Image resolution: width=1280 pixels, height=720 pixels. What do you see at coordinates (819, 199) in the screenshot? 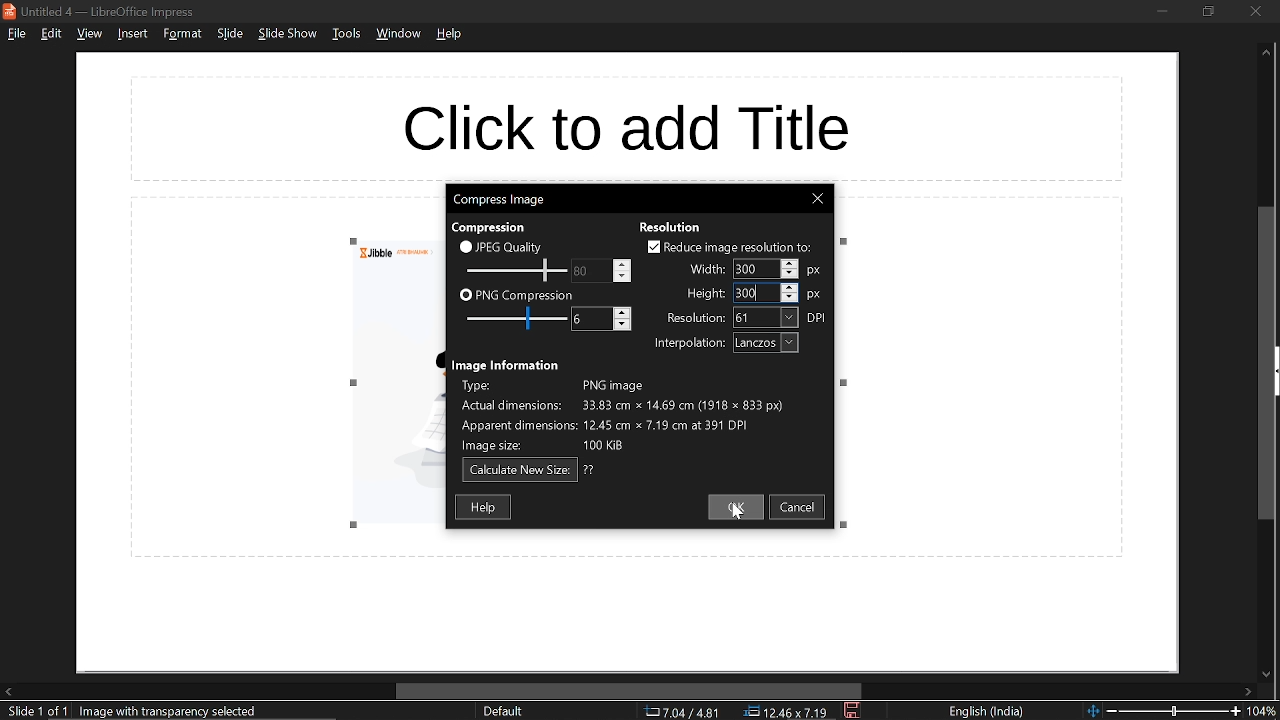
I see `close` at bounding box center [819, 199].